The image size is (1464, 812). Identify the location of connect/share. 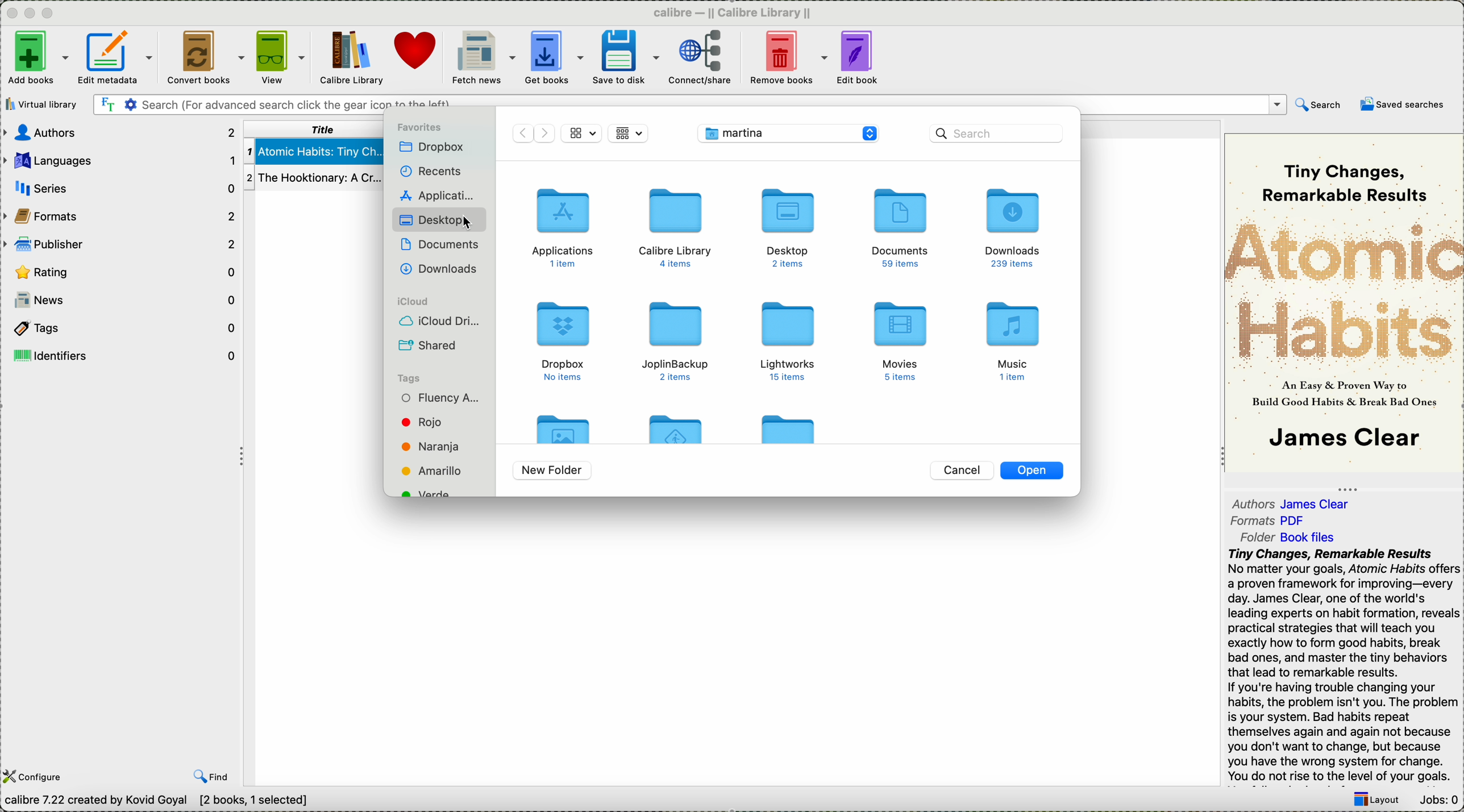
(701, 58).